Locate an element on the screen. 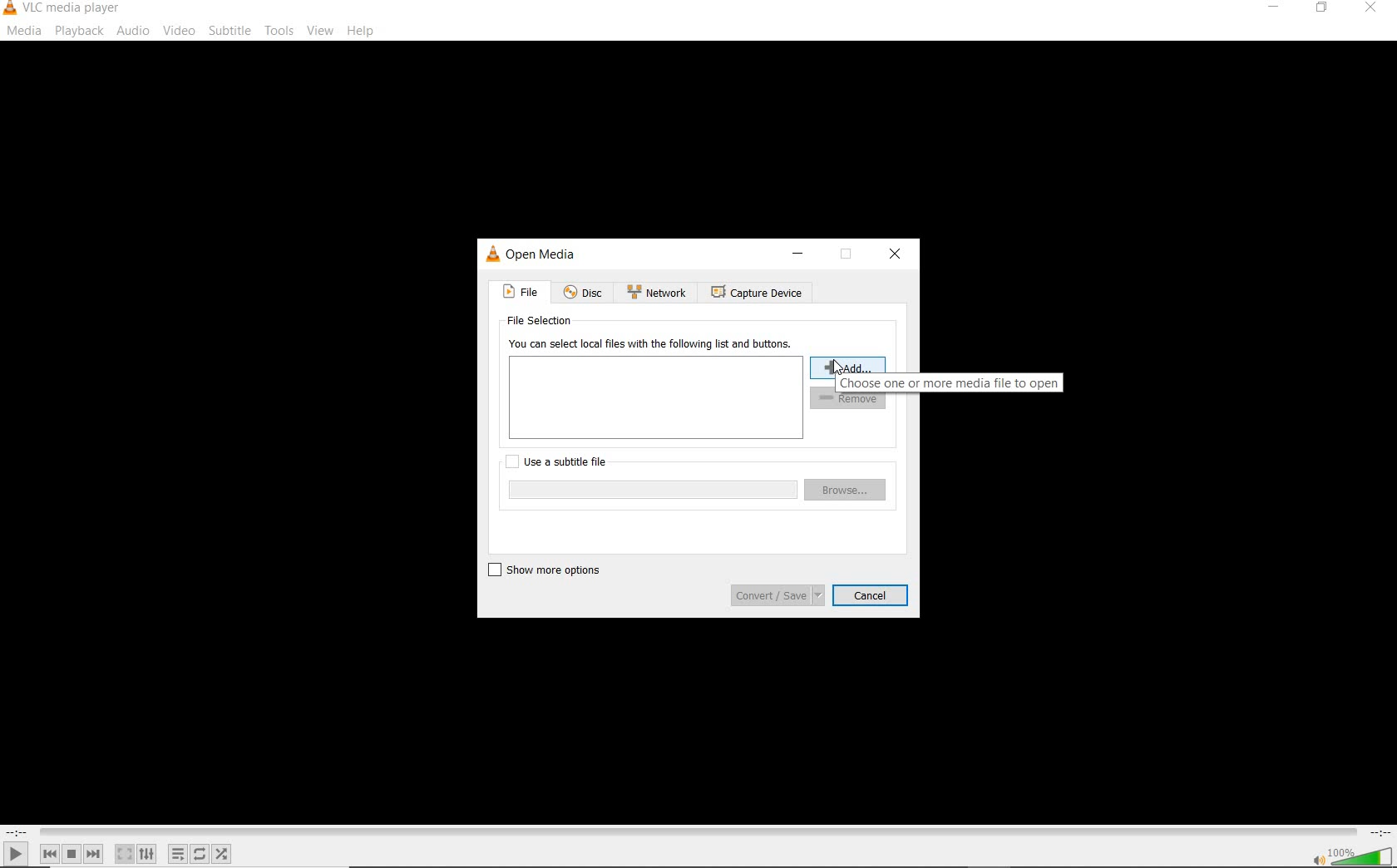  network is located at coordinates (657, 291).